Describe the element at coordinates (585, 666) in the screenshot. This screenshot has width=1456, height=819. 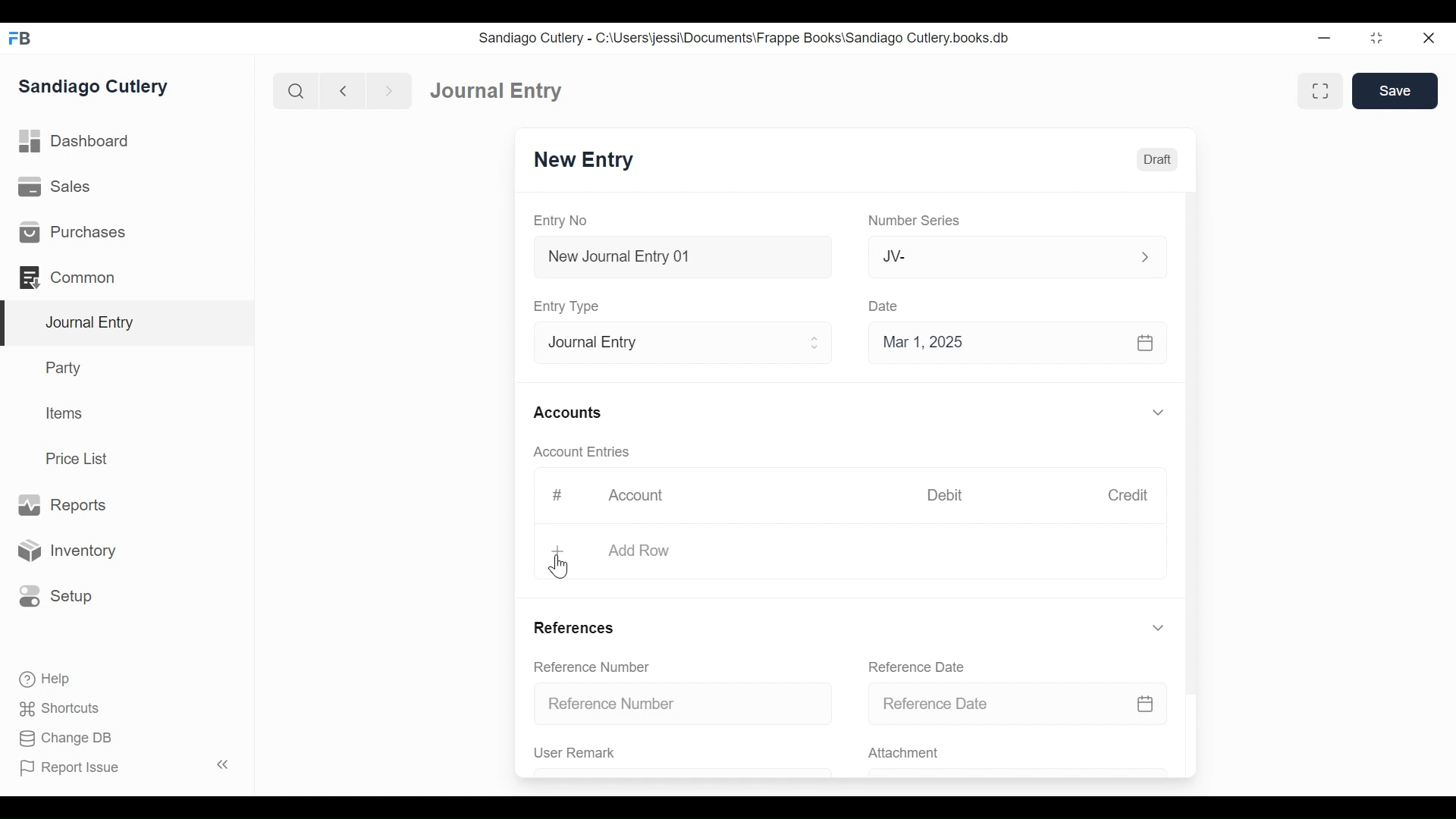
I see `Reference Number` at that location.